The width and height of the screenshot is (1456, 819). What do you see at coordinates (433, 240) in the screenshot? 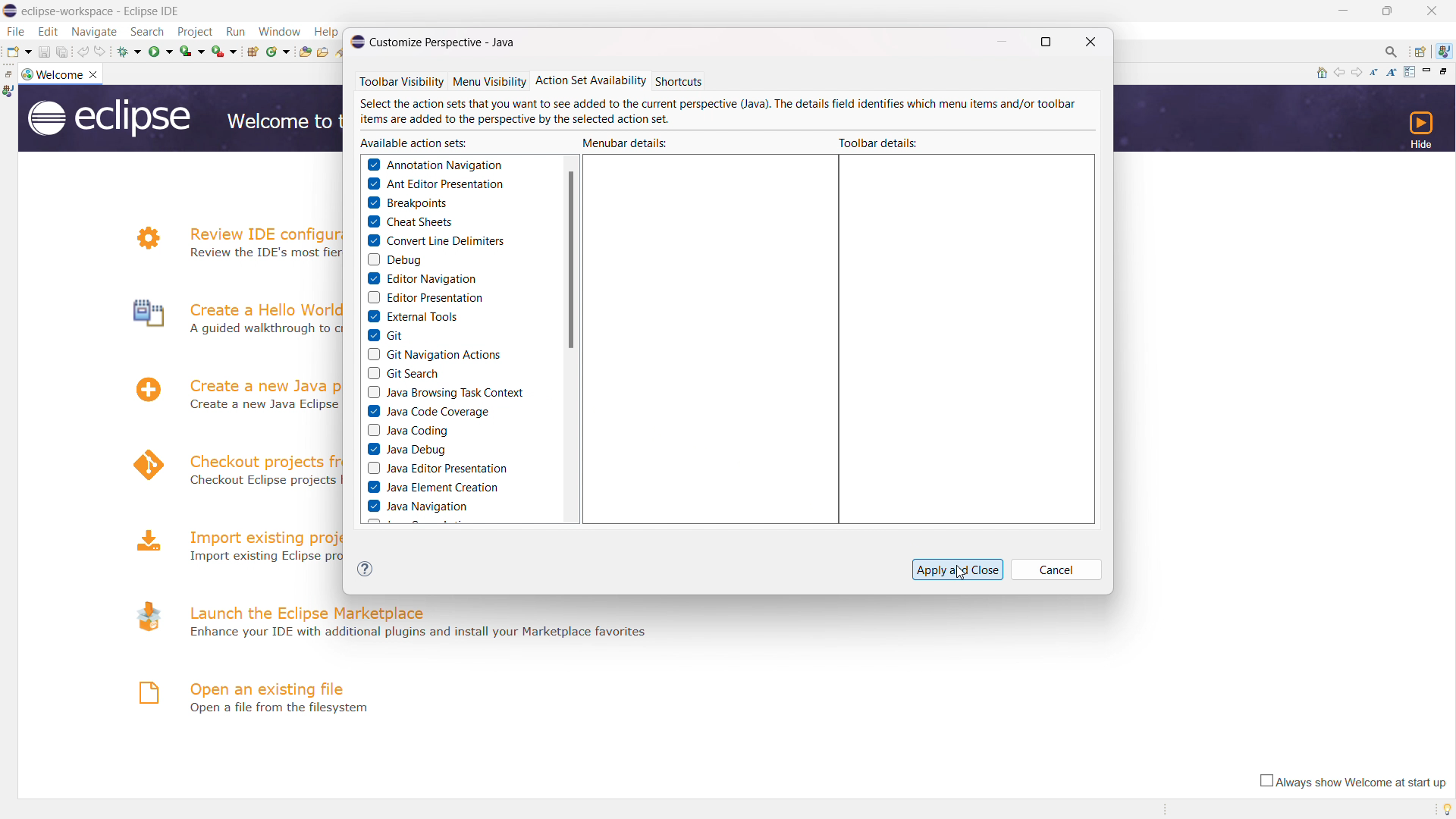
I see `convert line delimiters` at bounding box center [433, 240].